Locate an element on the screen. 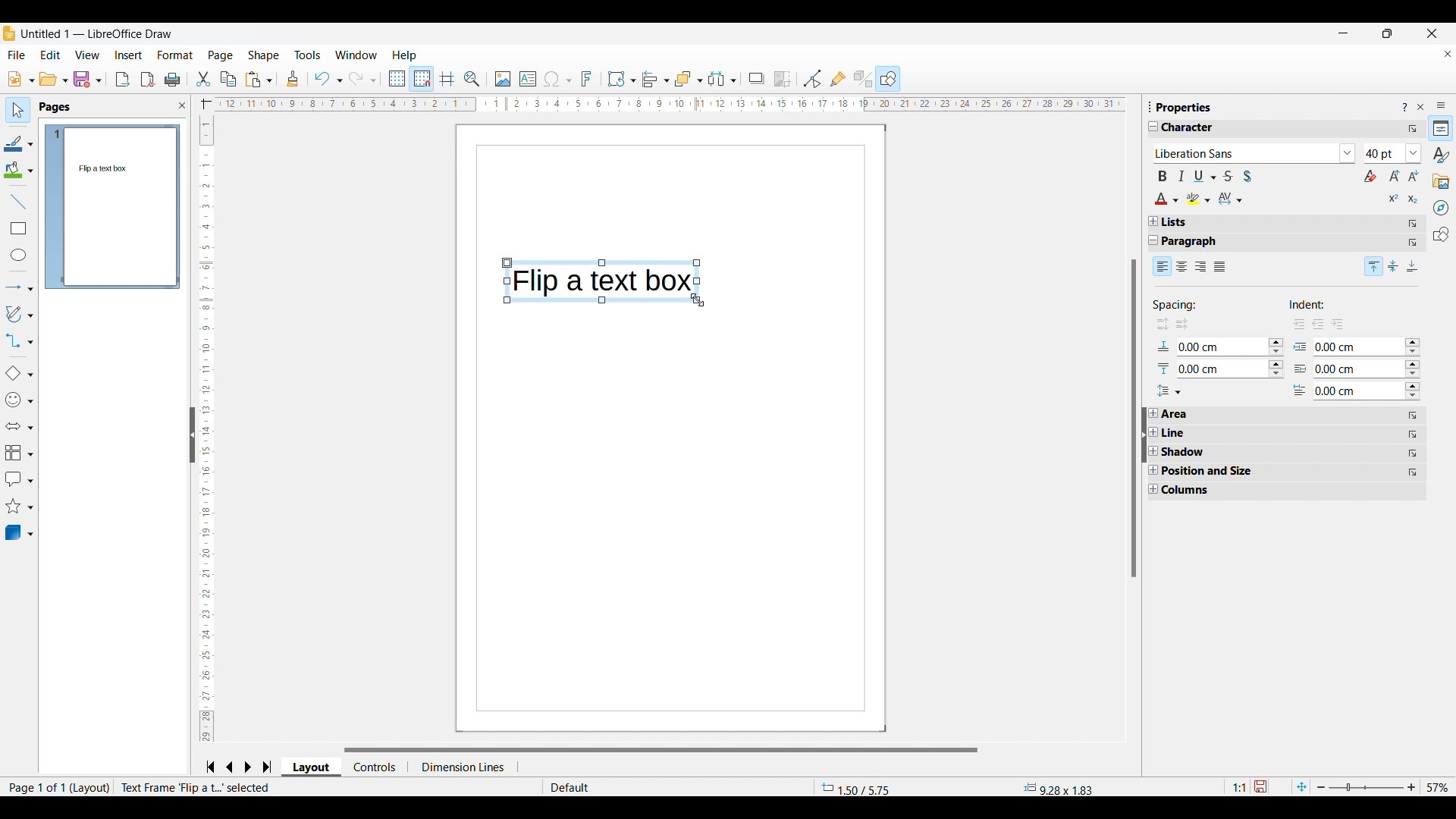  Horizontal slider is located at coordinates (661, 750).